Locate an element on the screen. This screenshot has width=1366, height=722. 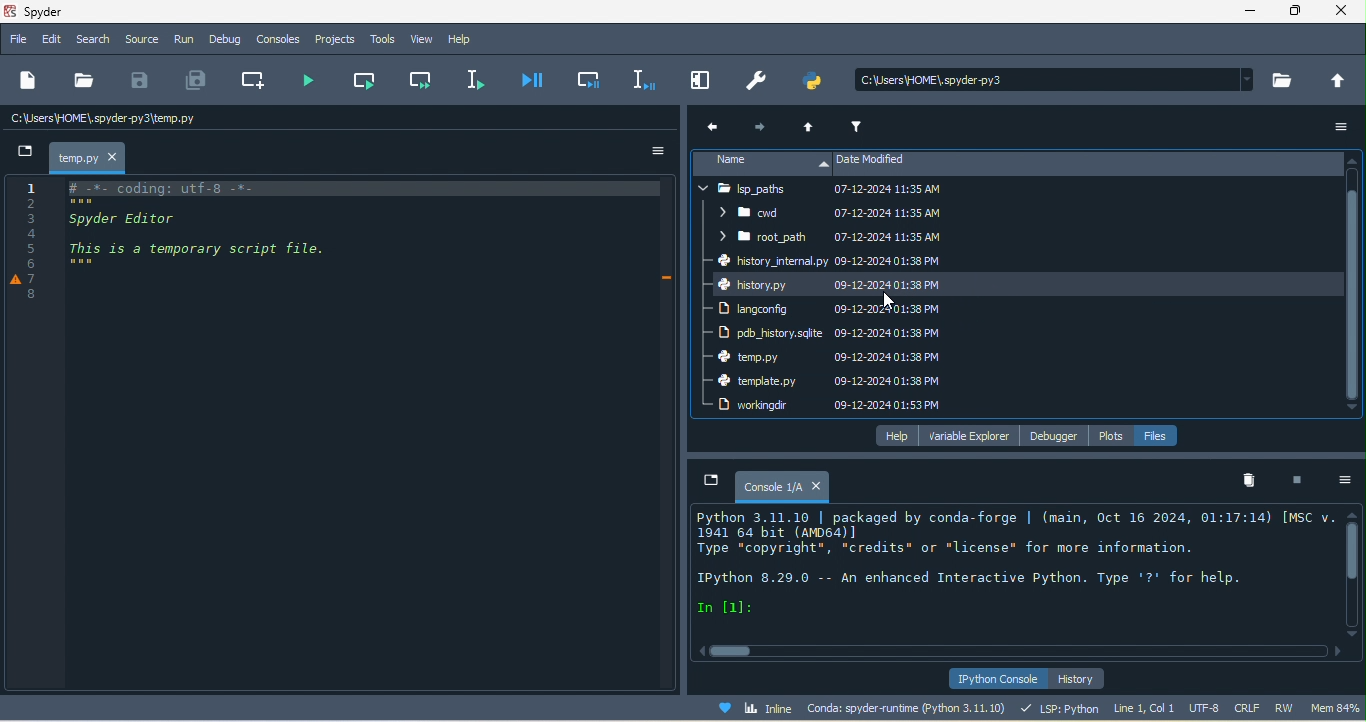
ipython  console is located at coordinates (992, 679).